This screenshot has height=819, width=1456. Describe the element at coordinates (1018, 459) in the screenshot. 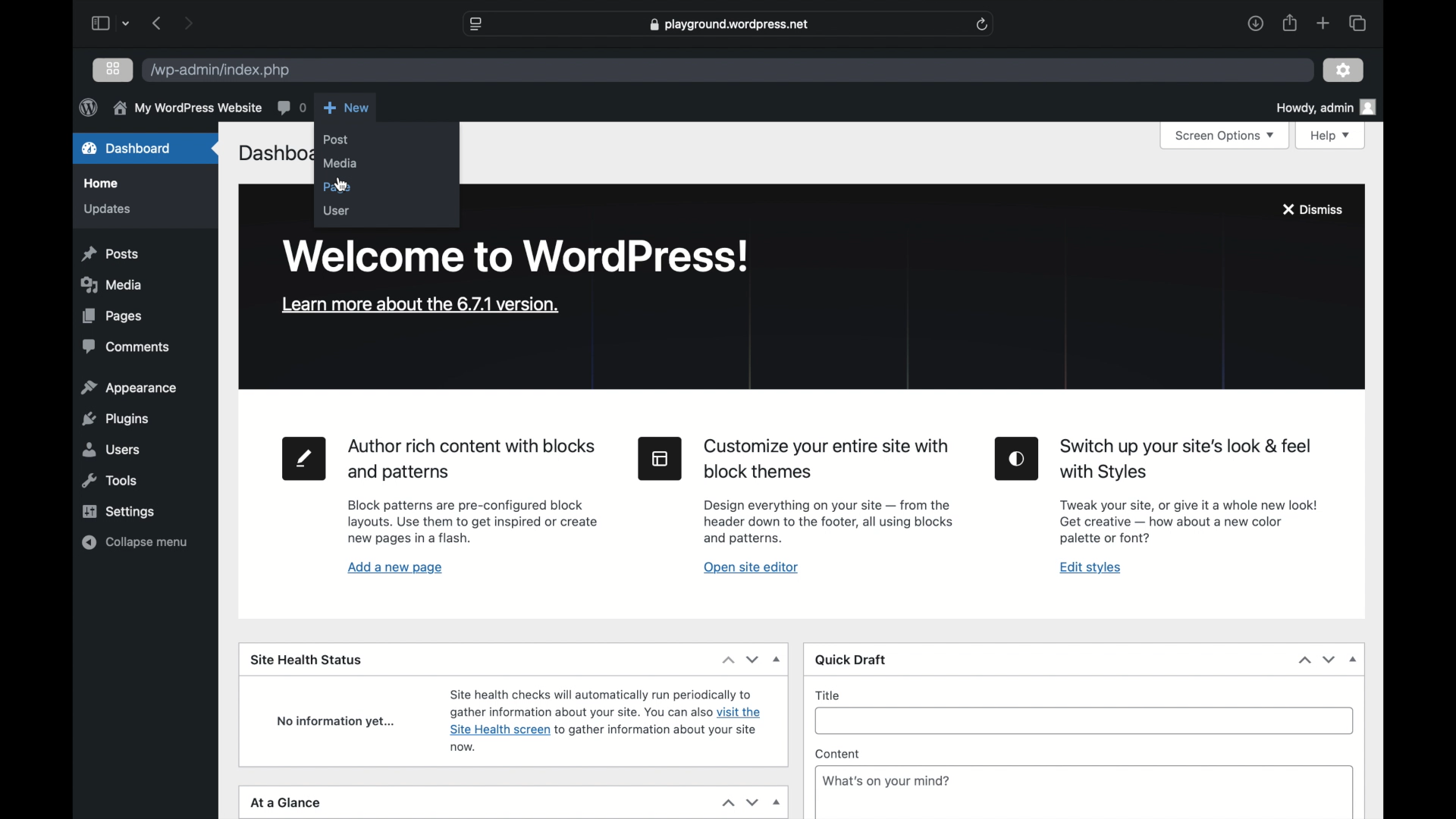

I see `edit styles` at that location.